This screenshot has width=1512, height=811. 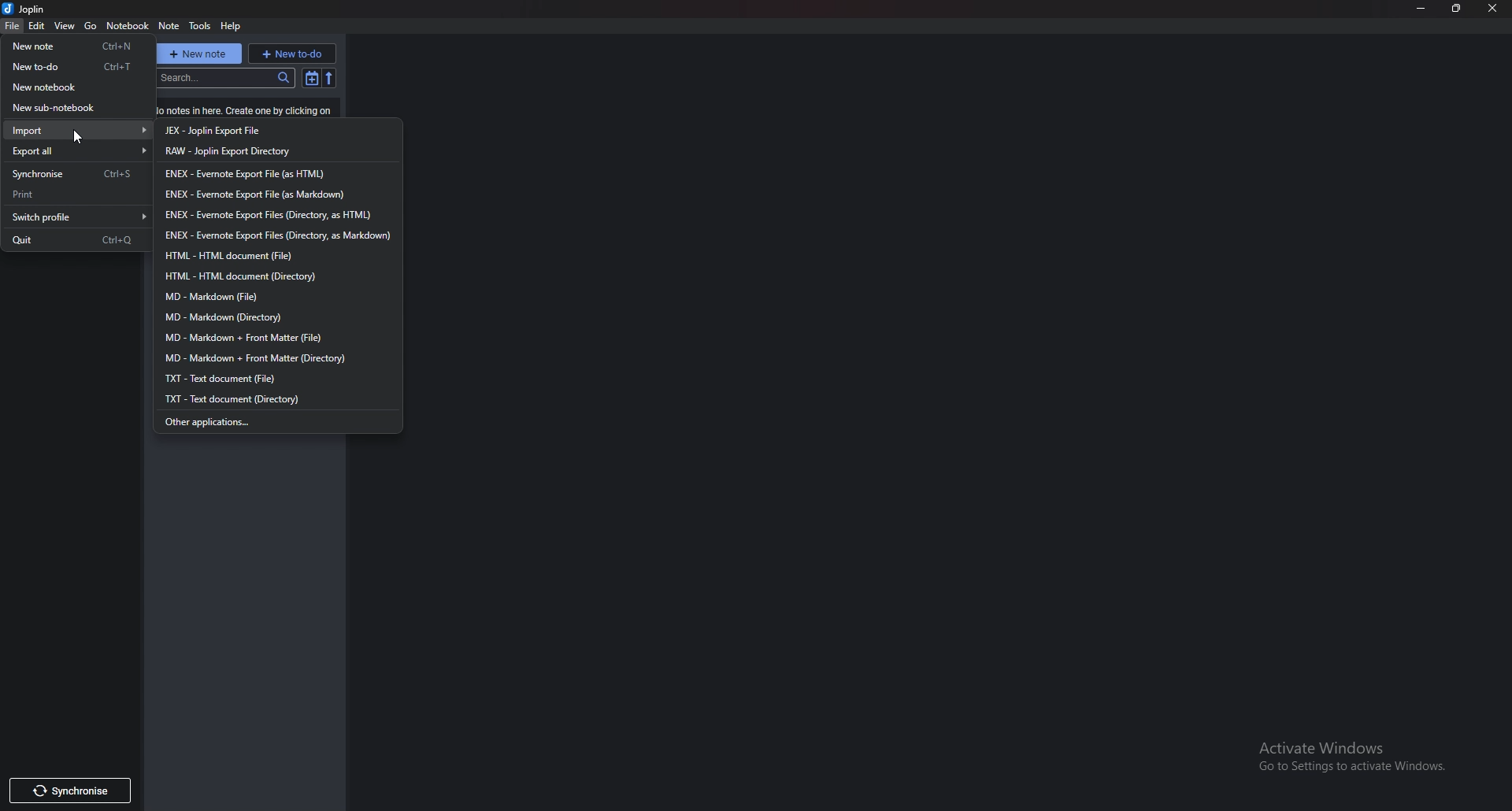 I want to click on New note, so click(x=200, y=54).